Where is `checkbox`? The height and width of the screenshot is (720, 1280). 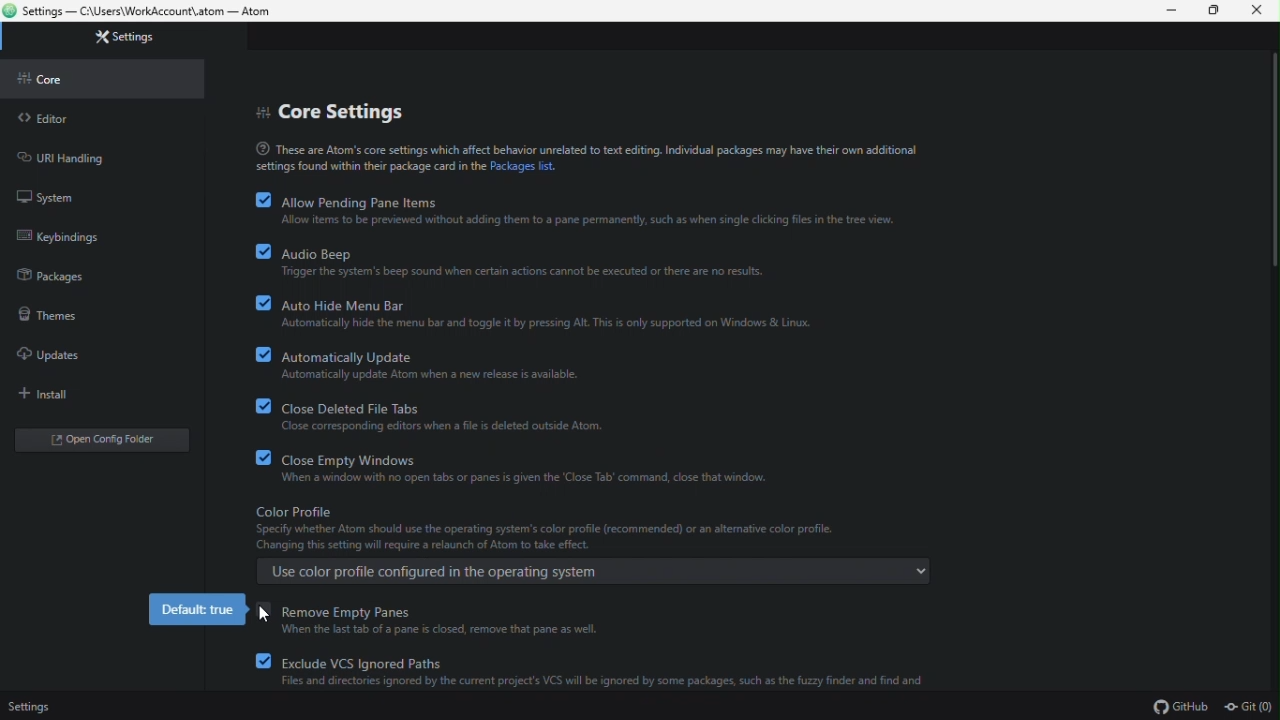
checkbox is located at coordinates (259, 660).